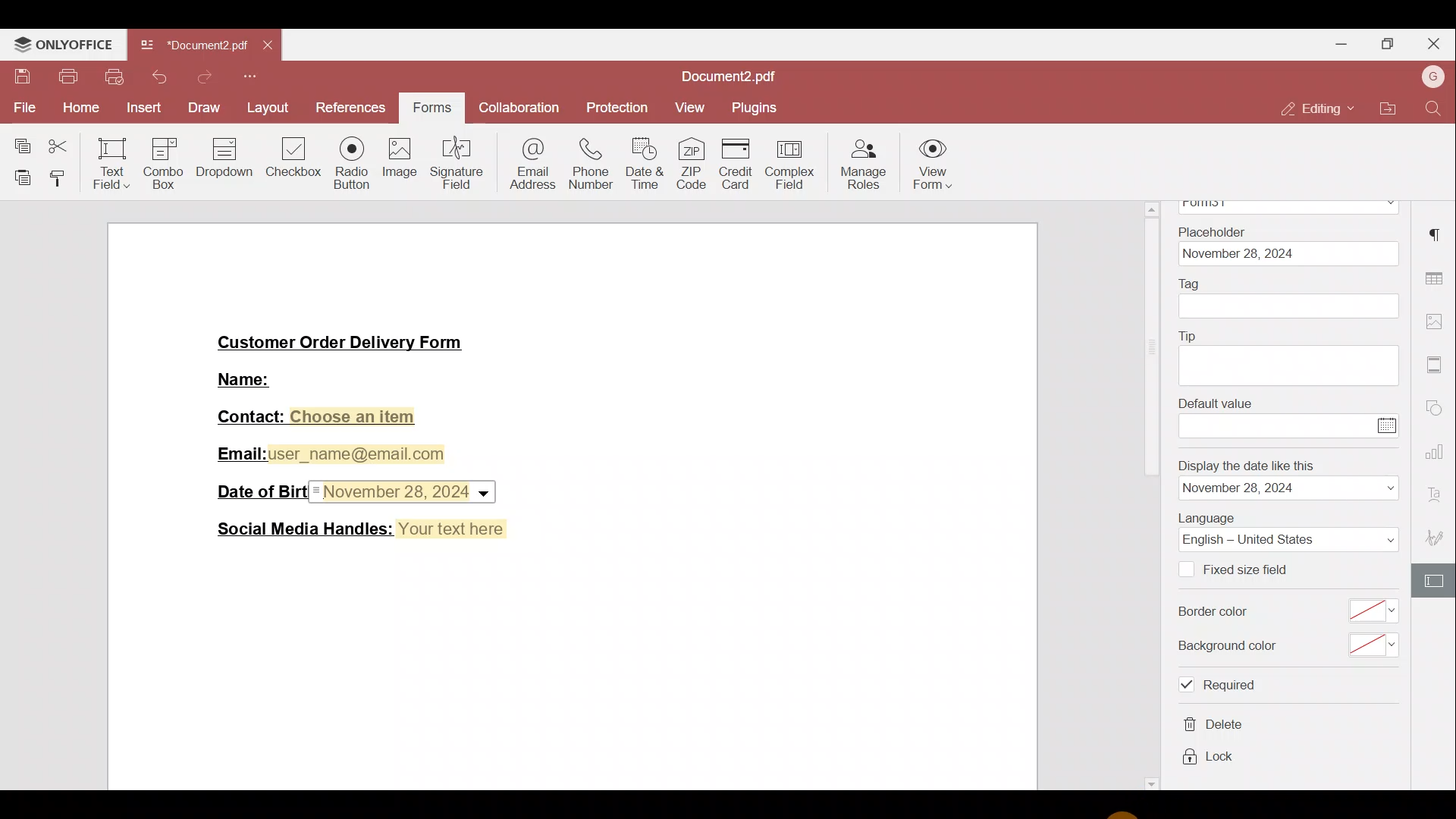 The width and height of the screenshot is (1456, 819). Describe the element at coordinates (354, 108) in the screenshot. I see `References` at that location.